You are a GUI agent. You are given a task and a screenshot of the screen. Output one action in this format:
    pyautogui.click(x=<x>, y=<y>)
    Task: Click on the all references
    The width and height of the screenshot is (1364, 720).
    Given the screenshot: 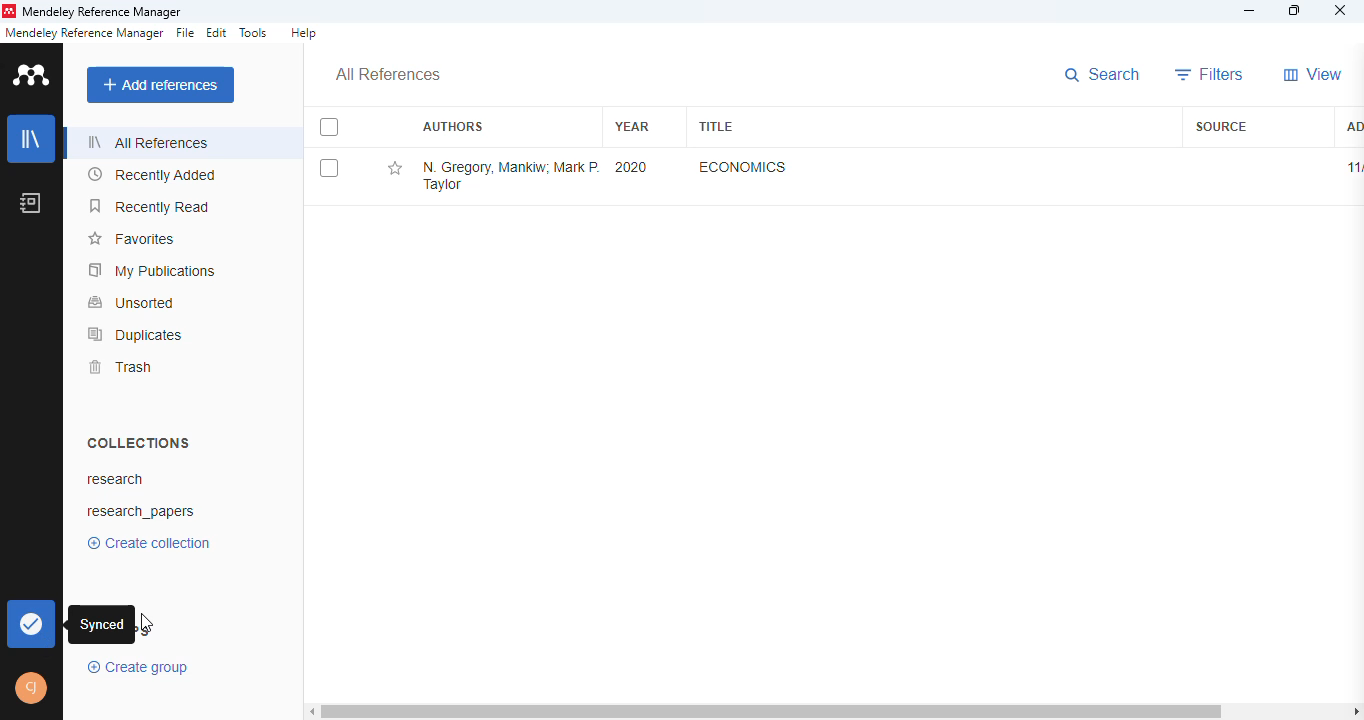 What is the action you would take?
    pyautogui.click(x=389, y=74)
    